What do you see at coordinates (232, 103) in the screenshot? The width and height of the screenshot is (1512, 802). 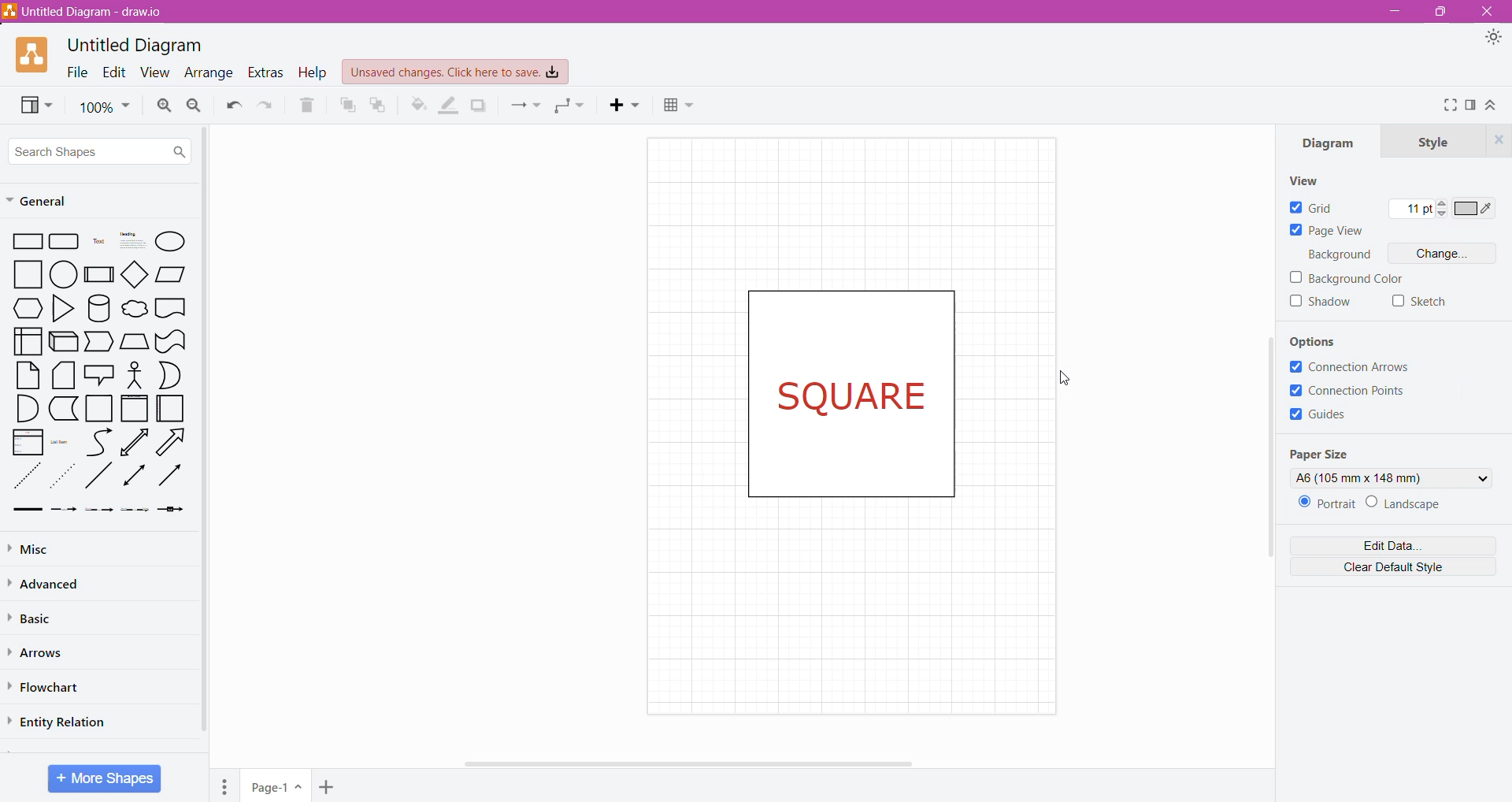 I see `Redo` at bounding box center [232, 103].